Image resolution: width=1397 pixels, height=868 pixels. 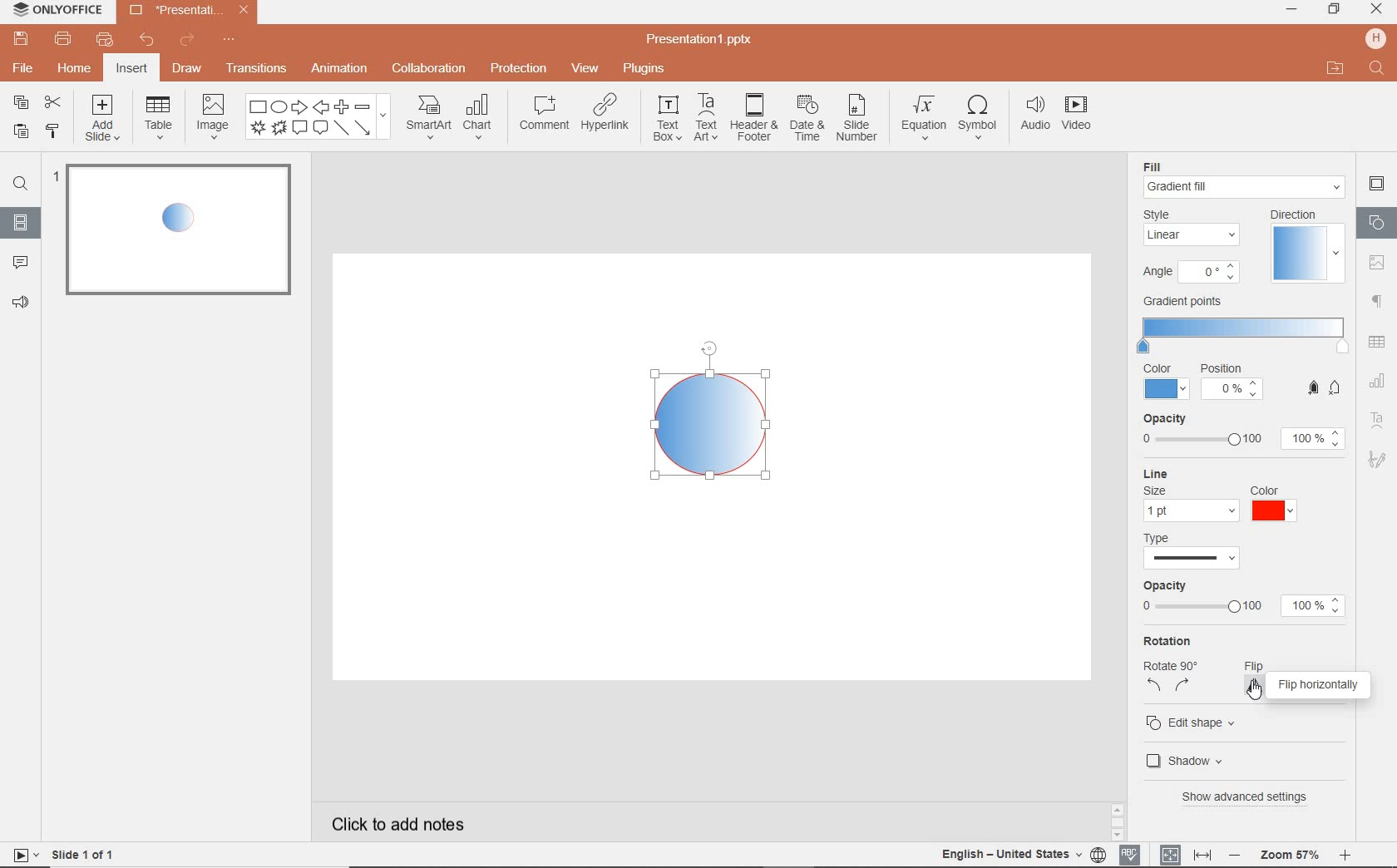 I want to click on redo, so click(x=188, y=40).